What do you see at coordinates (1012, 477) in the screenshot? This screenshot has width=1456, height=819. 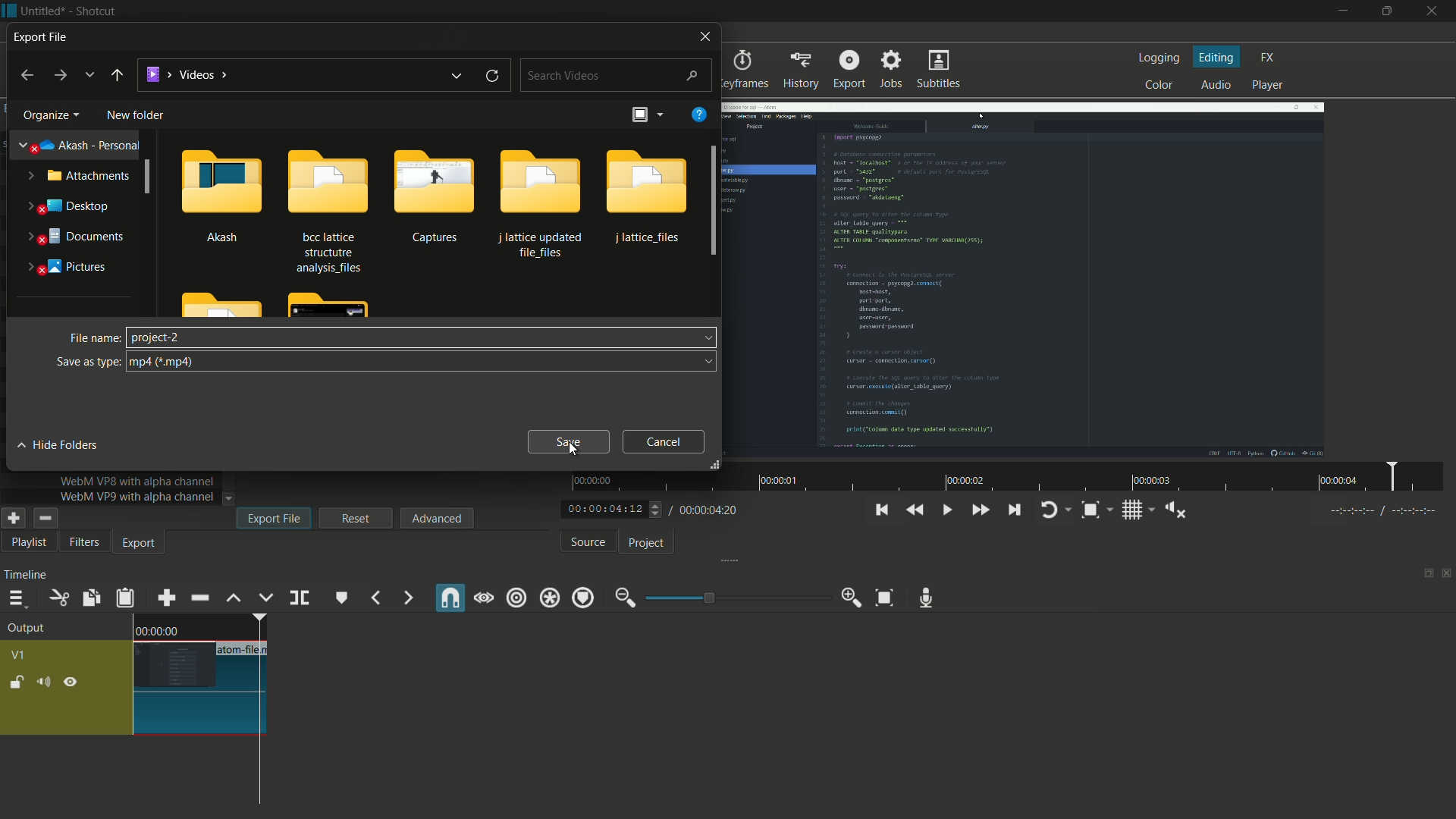 I see `time` at bounding box center [1012, 477].